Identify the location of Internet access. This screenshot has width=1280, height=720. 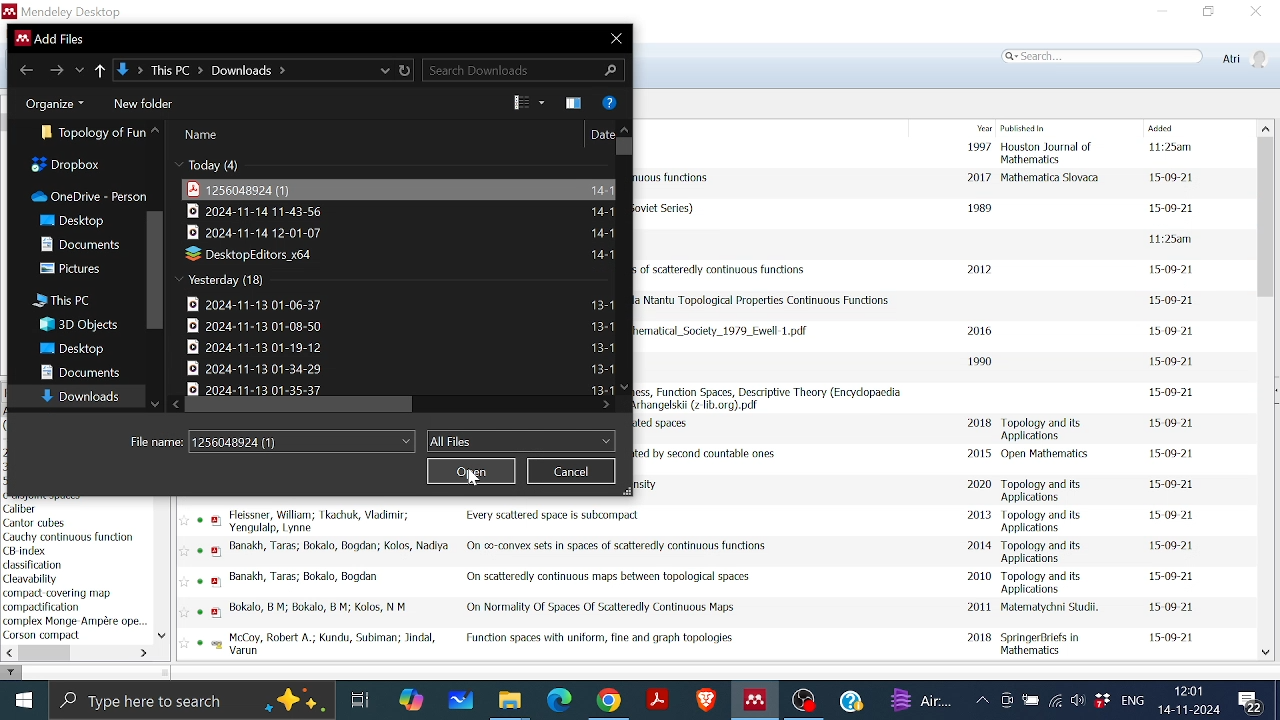
(1056, 699).